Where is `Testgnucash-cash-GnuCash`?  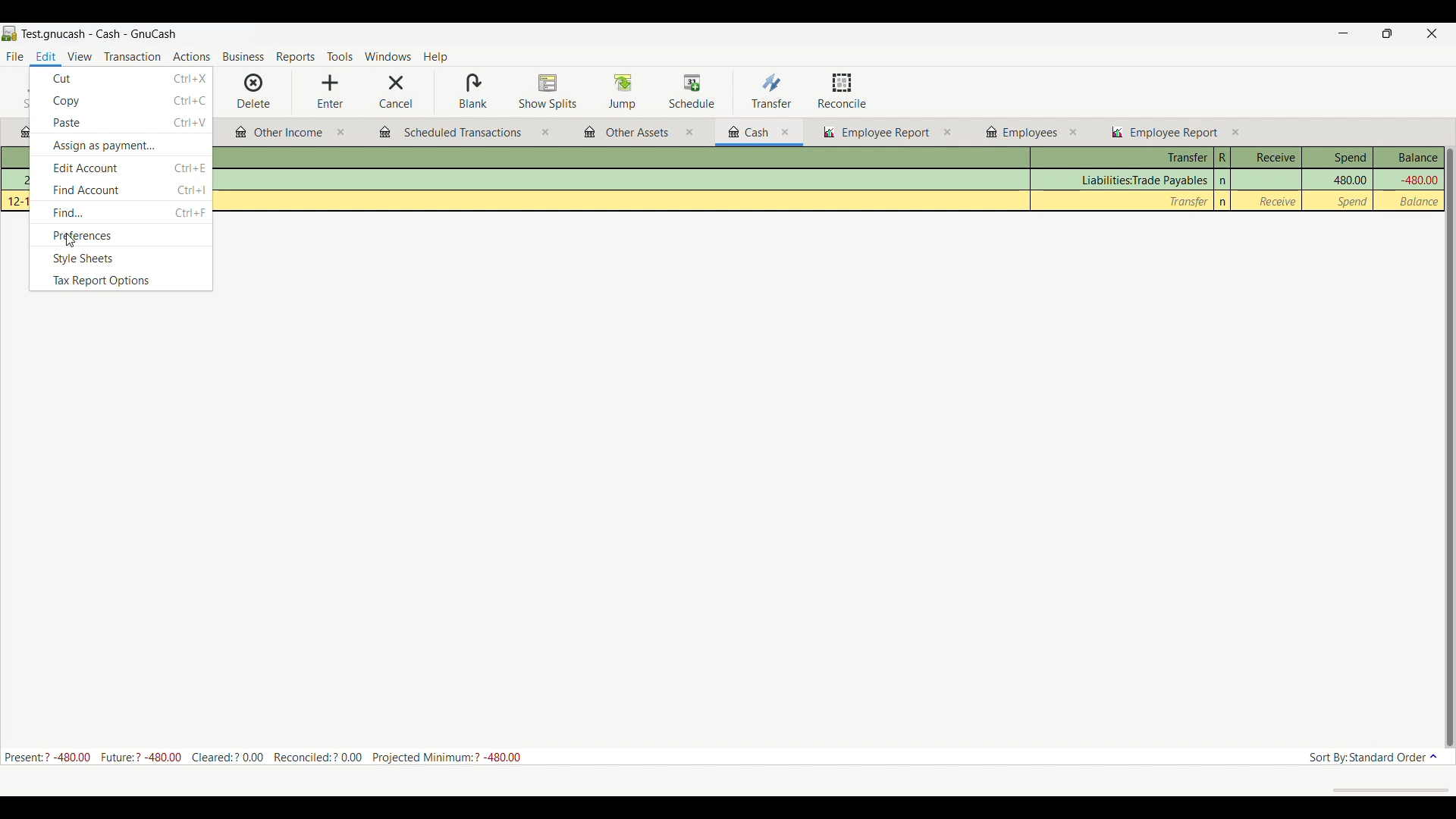
Testgnucash-cash-GnuCash is located at coordinates (100, 33).